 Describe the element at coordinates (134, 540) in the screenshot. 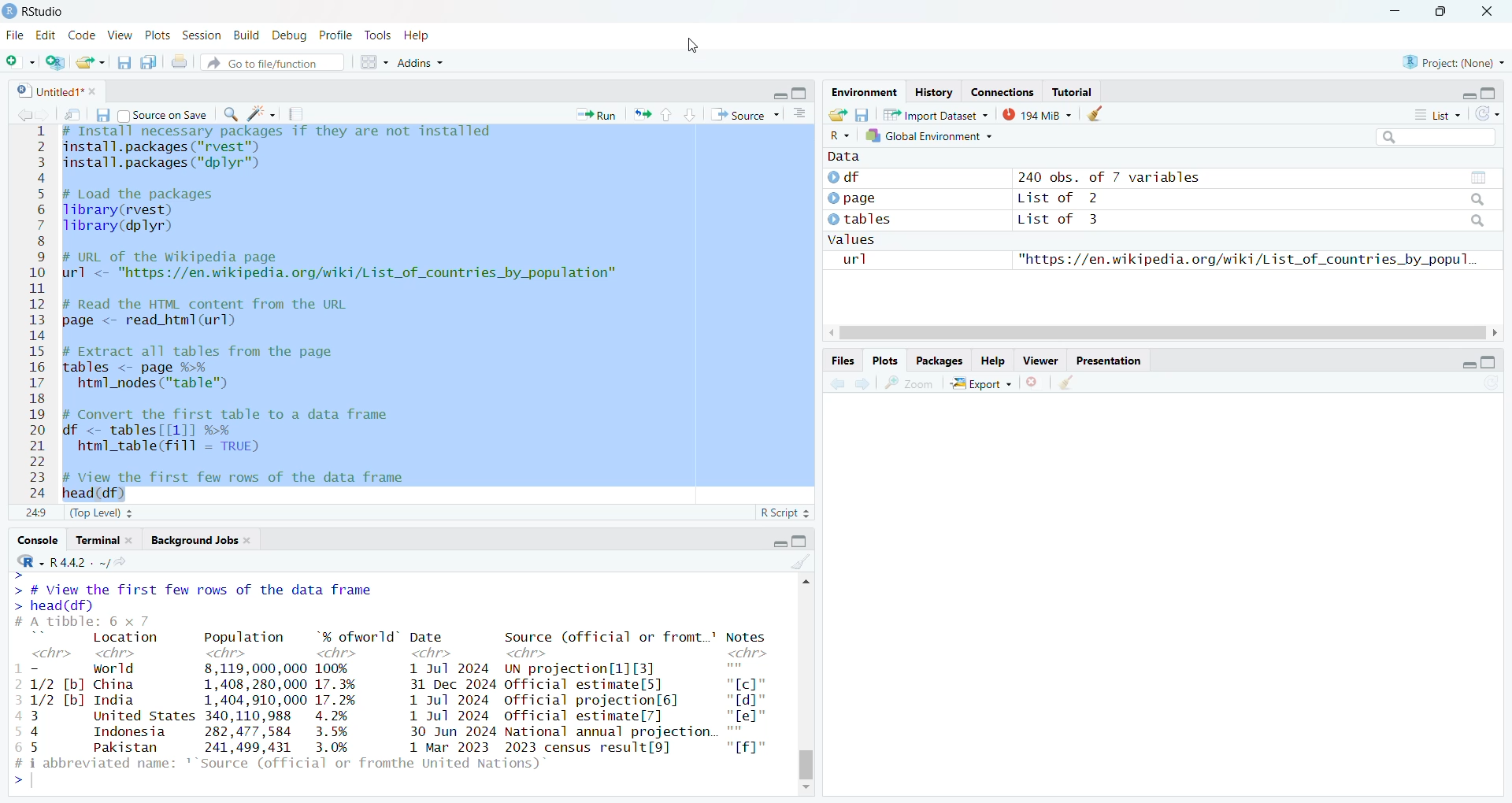

I see `close` at that location.